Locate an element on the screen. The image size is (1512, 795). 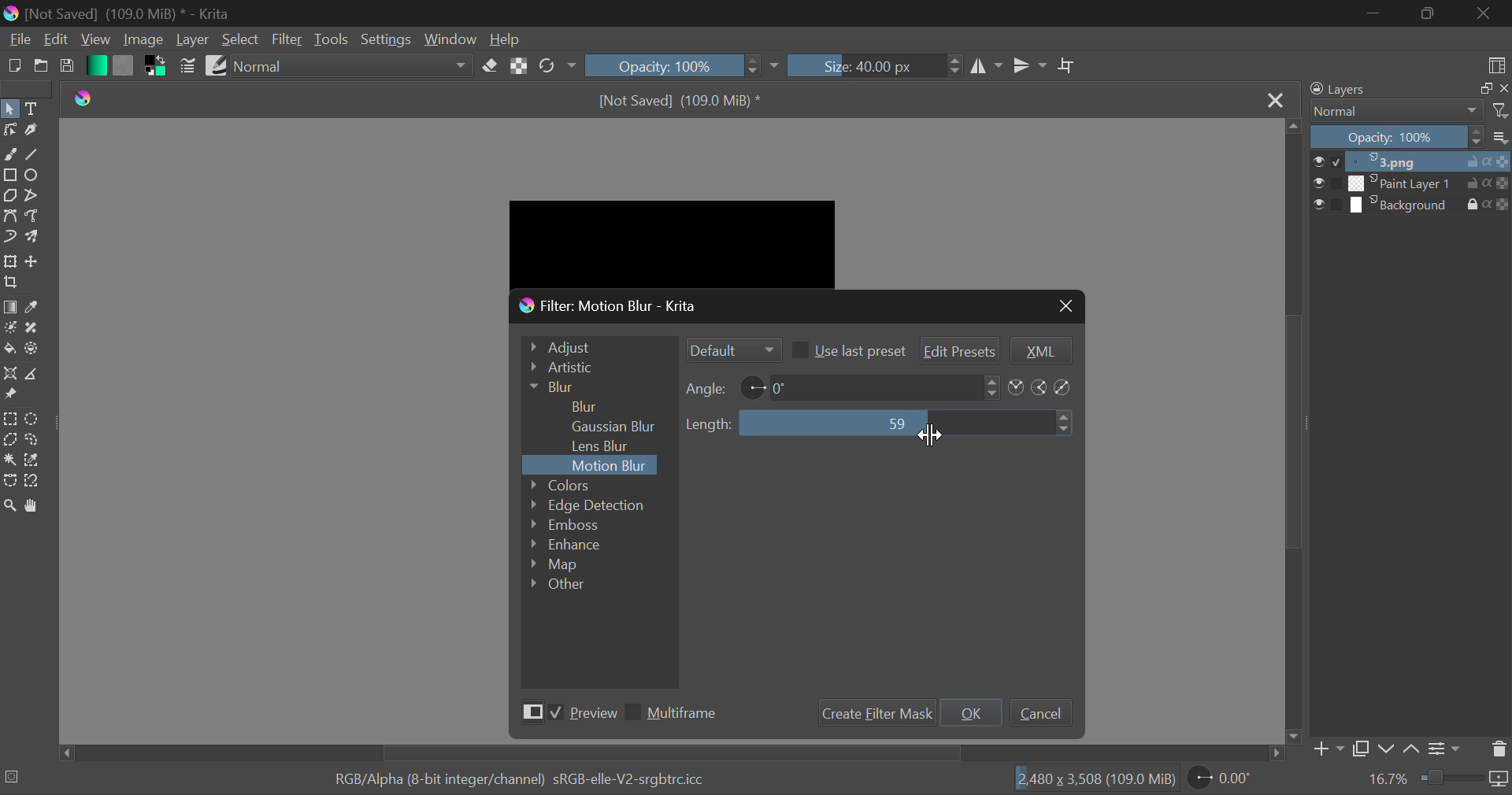
Close is located at coordinates (1277, 102).